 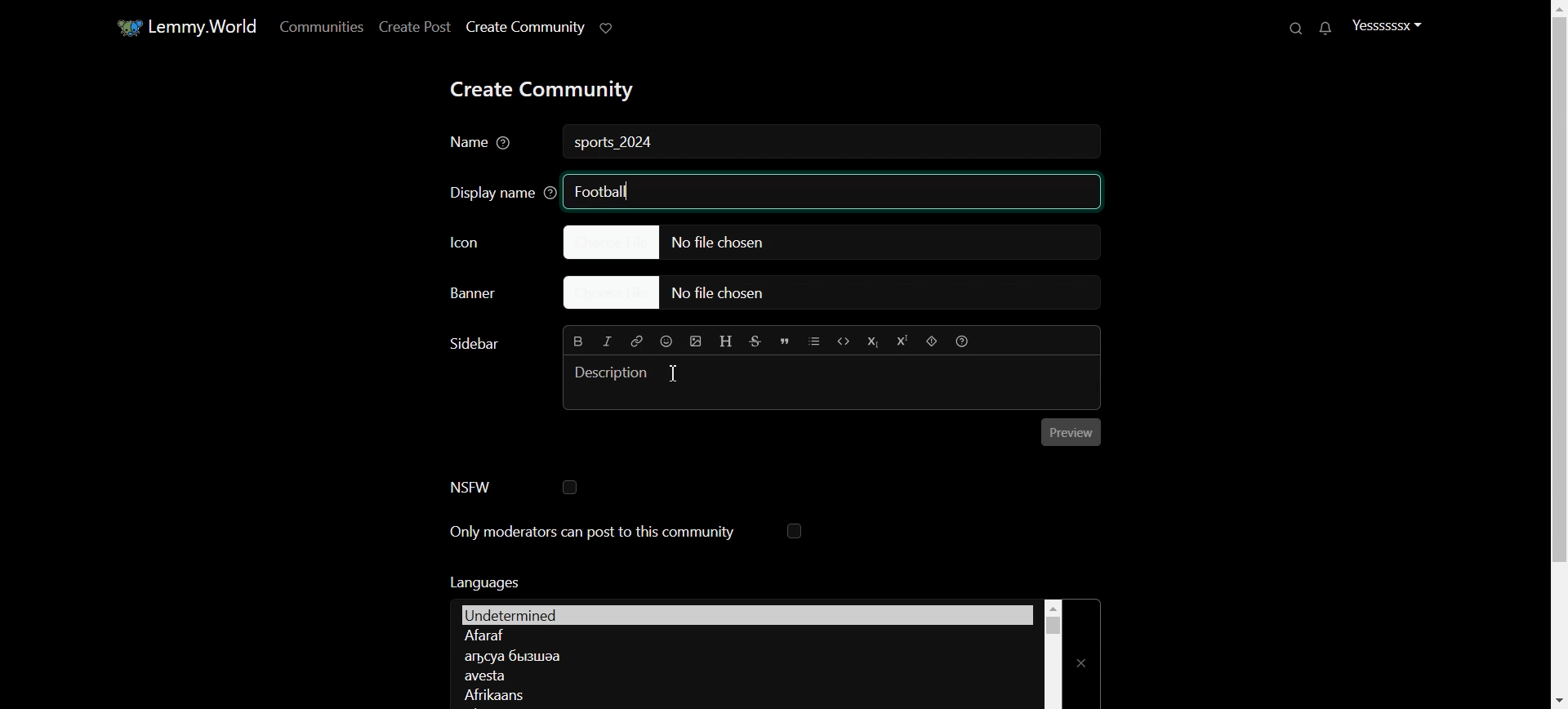 What do you see at coordinates (831, 241) in the screenshot?
I see `Choose file` at bounding box center [831, 241].